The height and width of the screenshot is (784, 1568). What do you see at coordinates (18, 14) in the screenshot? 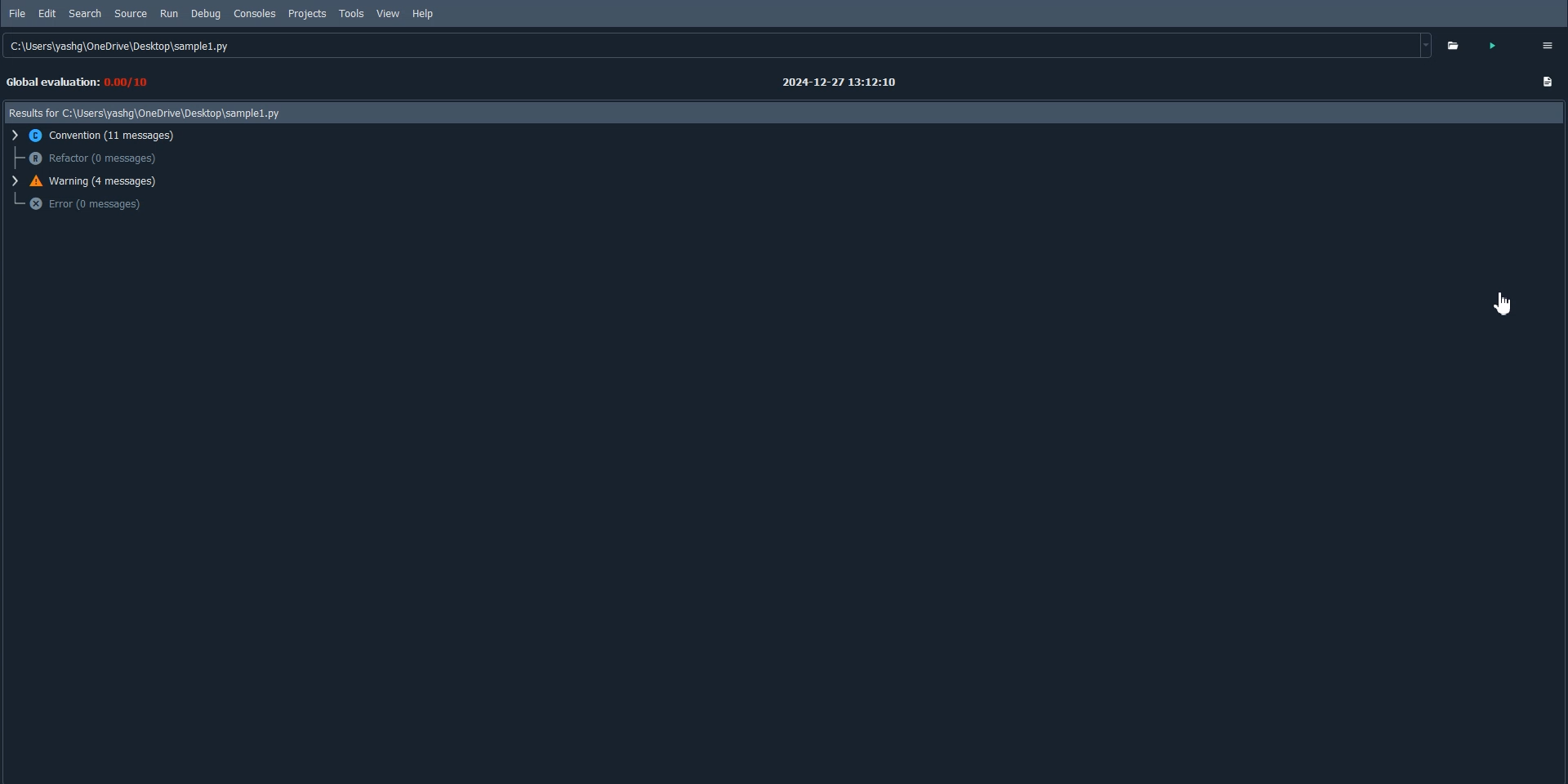
I see `File` at bounding box center [18, 14].